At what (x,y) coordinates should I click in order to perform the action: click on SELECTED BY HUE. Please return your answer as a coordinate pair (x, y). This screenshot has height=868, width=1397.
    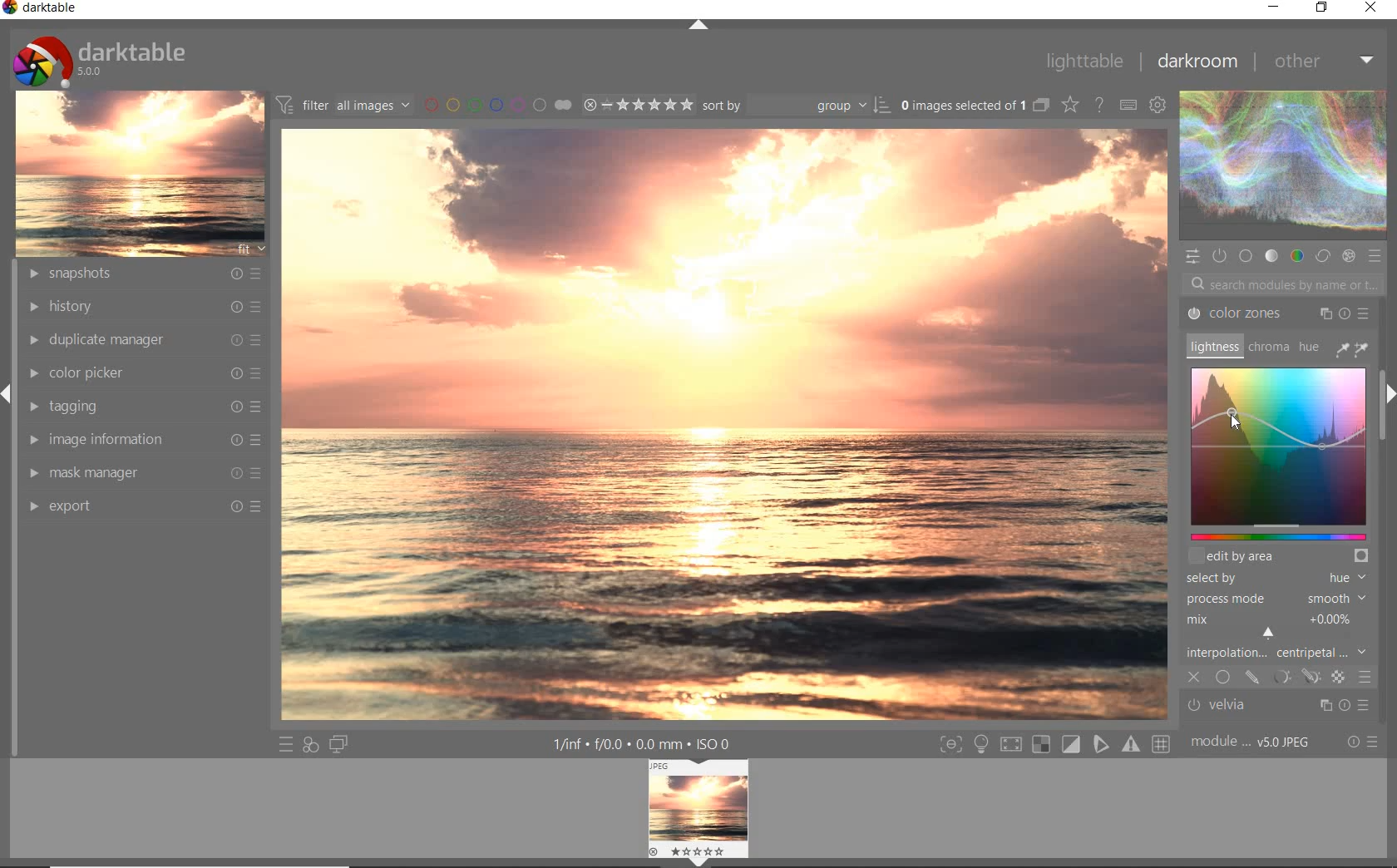
    Looking at the image, I should click on (1276, 578).